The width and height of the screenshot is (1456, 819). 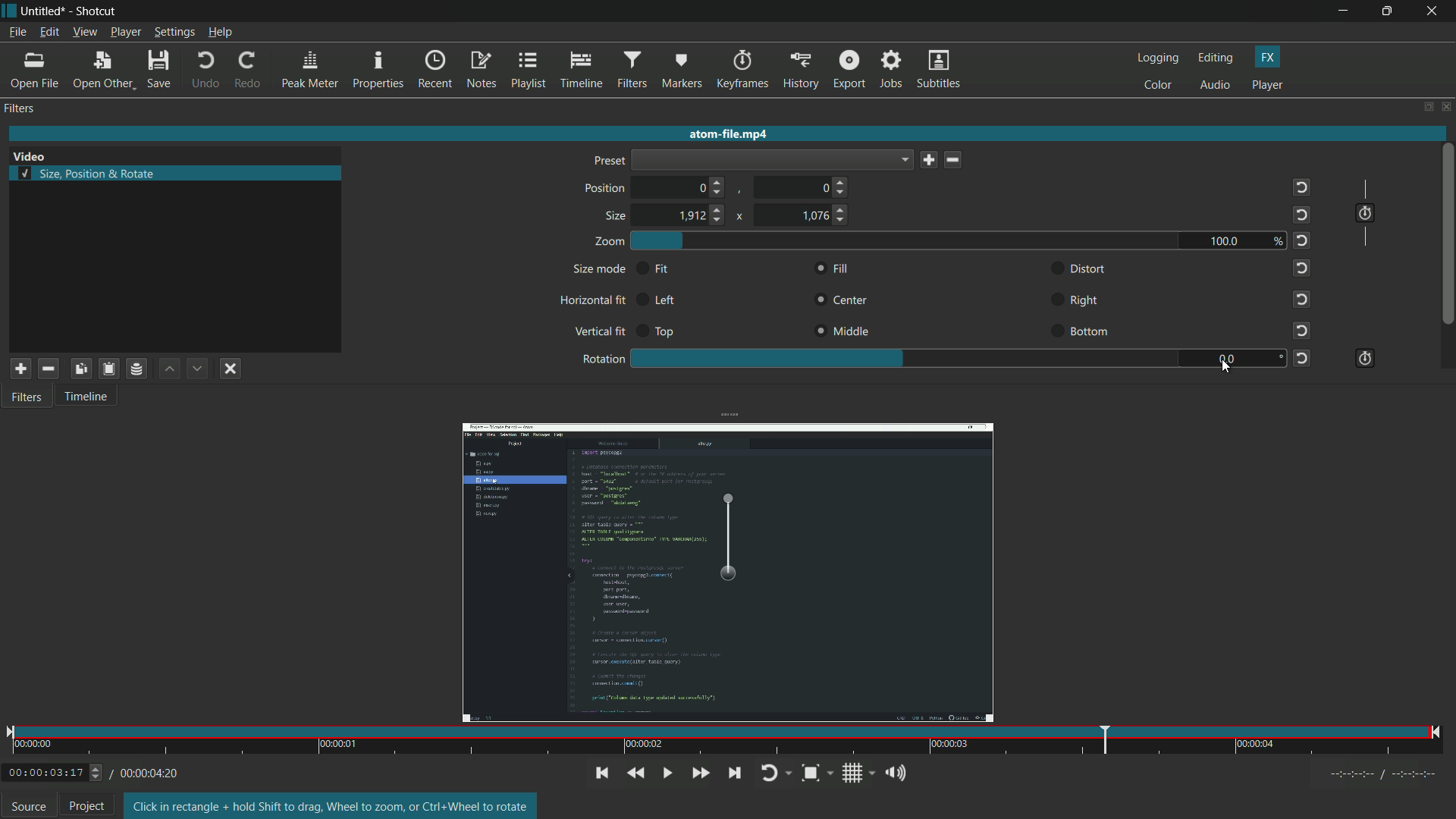 I want to click on audio, so click(x=1216, y=86).